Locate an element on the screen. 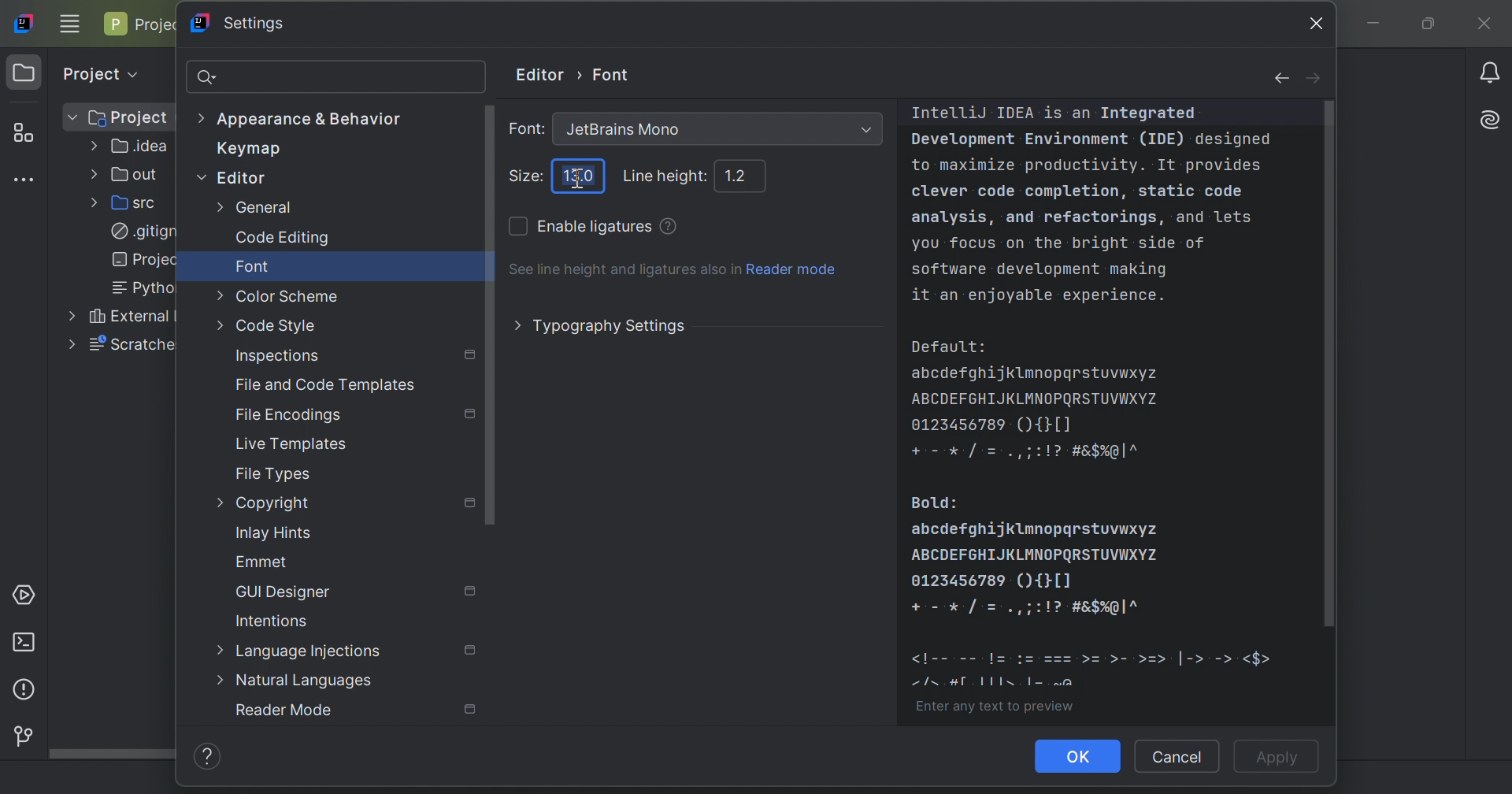  Main menu is located at coordinates (70, 23).